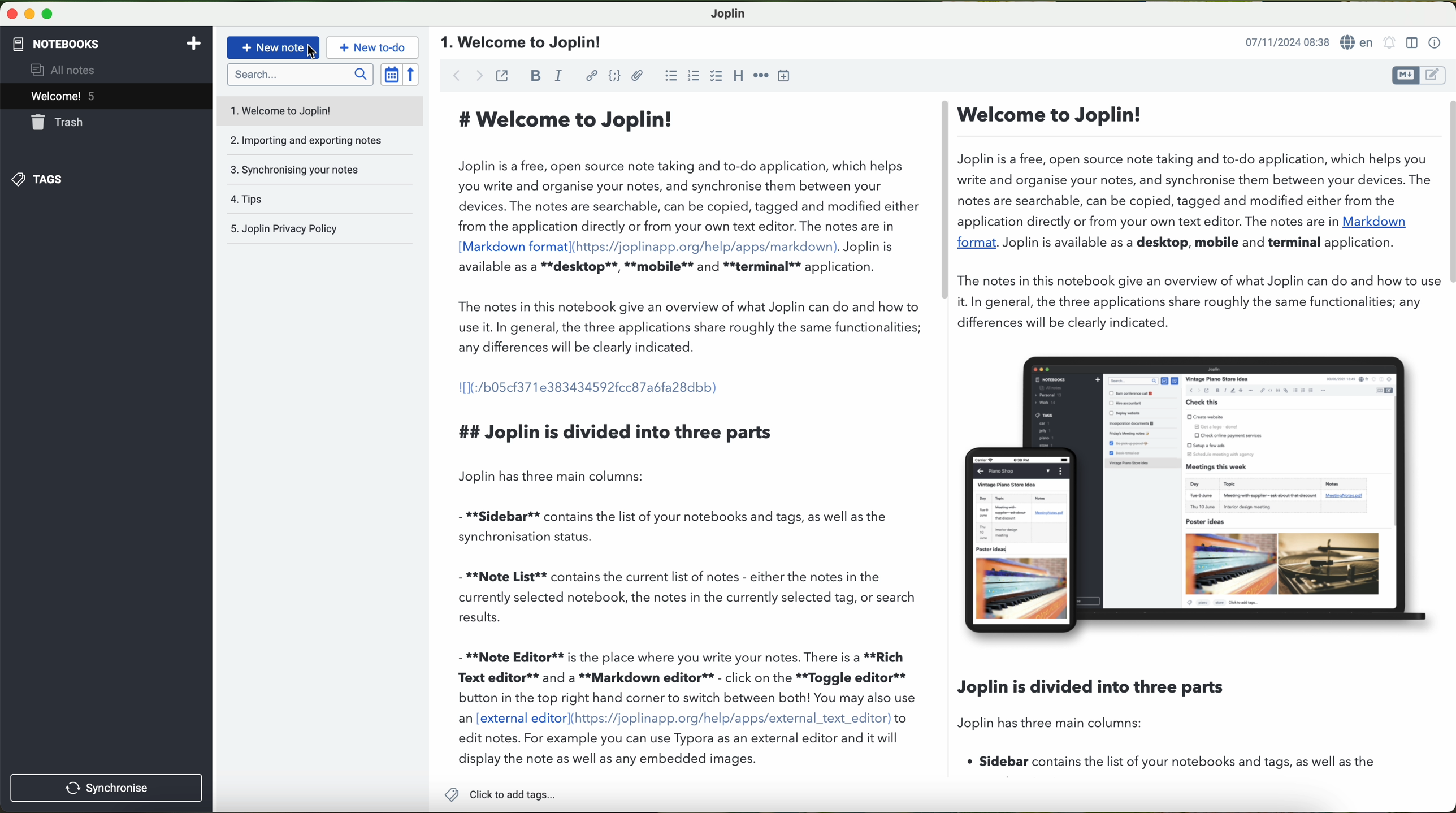 This screenshot has width=1456, height=813. I want to click on trash, so click(59, 122).